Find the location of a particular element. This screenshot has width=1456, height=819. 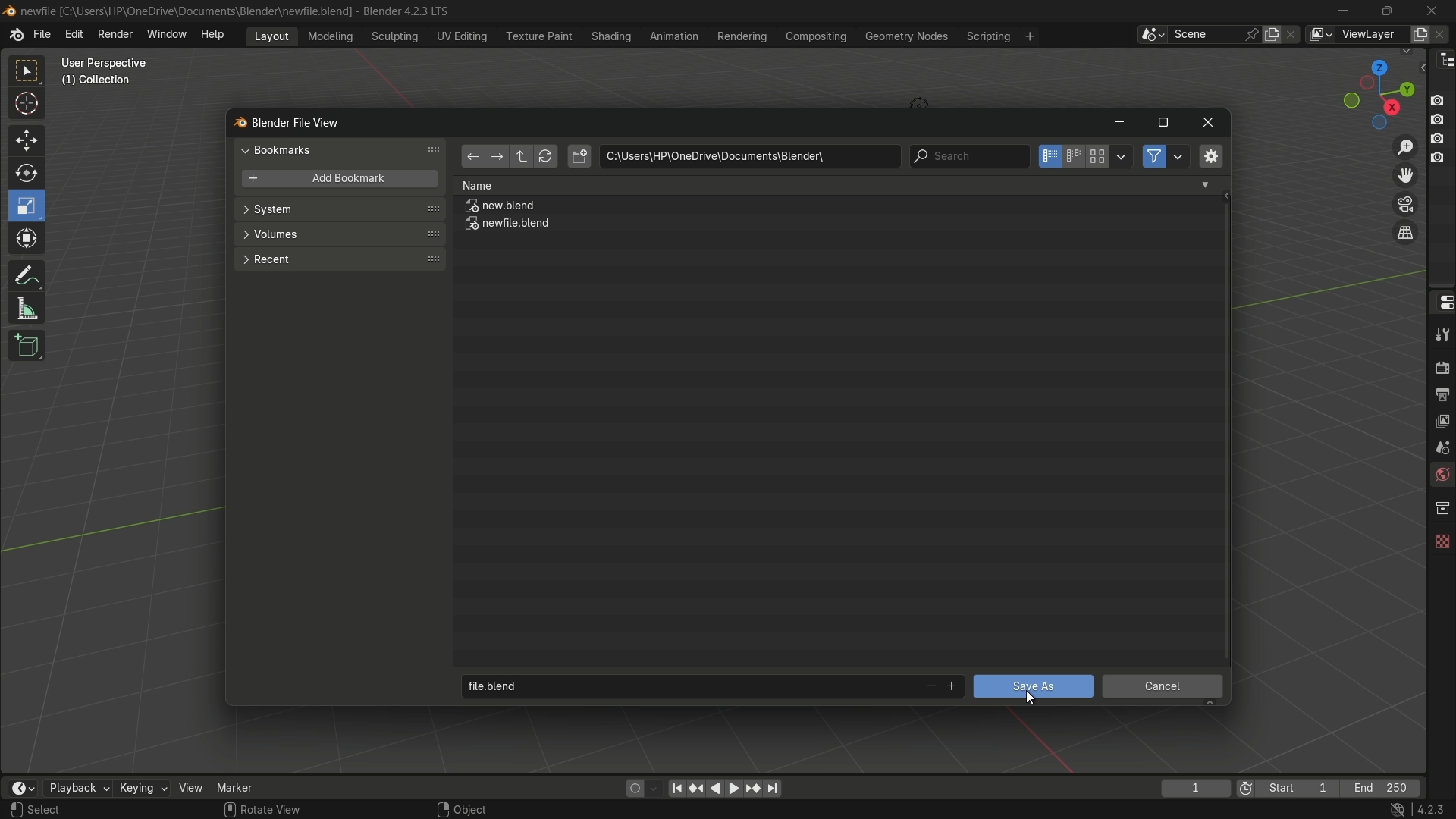

increment file number is located at coordinates (952, 687).